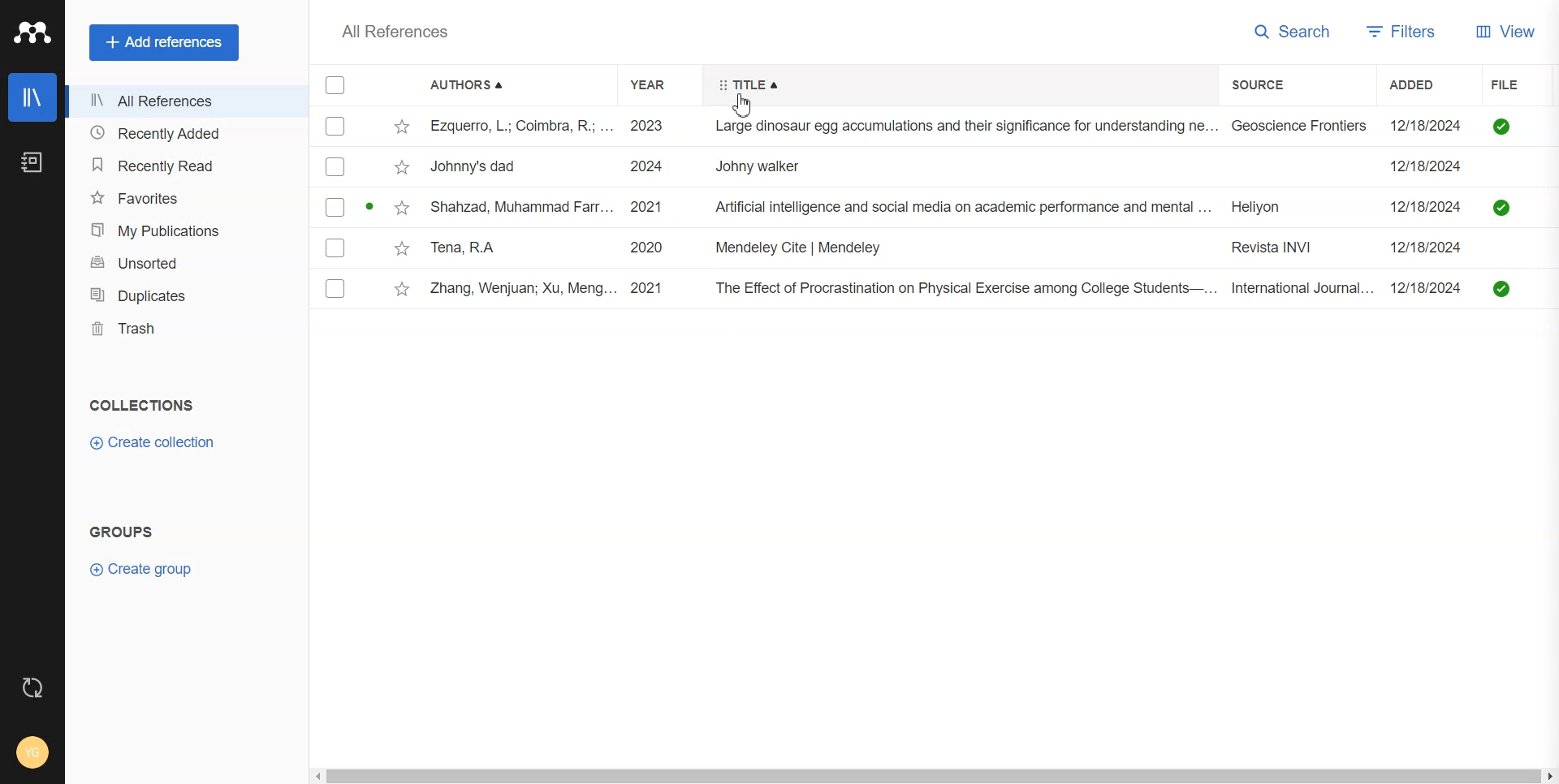  Describe the element at coordinates (32, 97) in the screenshot. I see `Library` at that location.